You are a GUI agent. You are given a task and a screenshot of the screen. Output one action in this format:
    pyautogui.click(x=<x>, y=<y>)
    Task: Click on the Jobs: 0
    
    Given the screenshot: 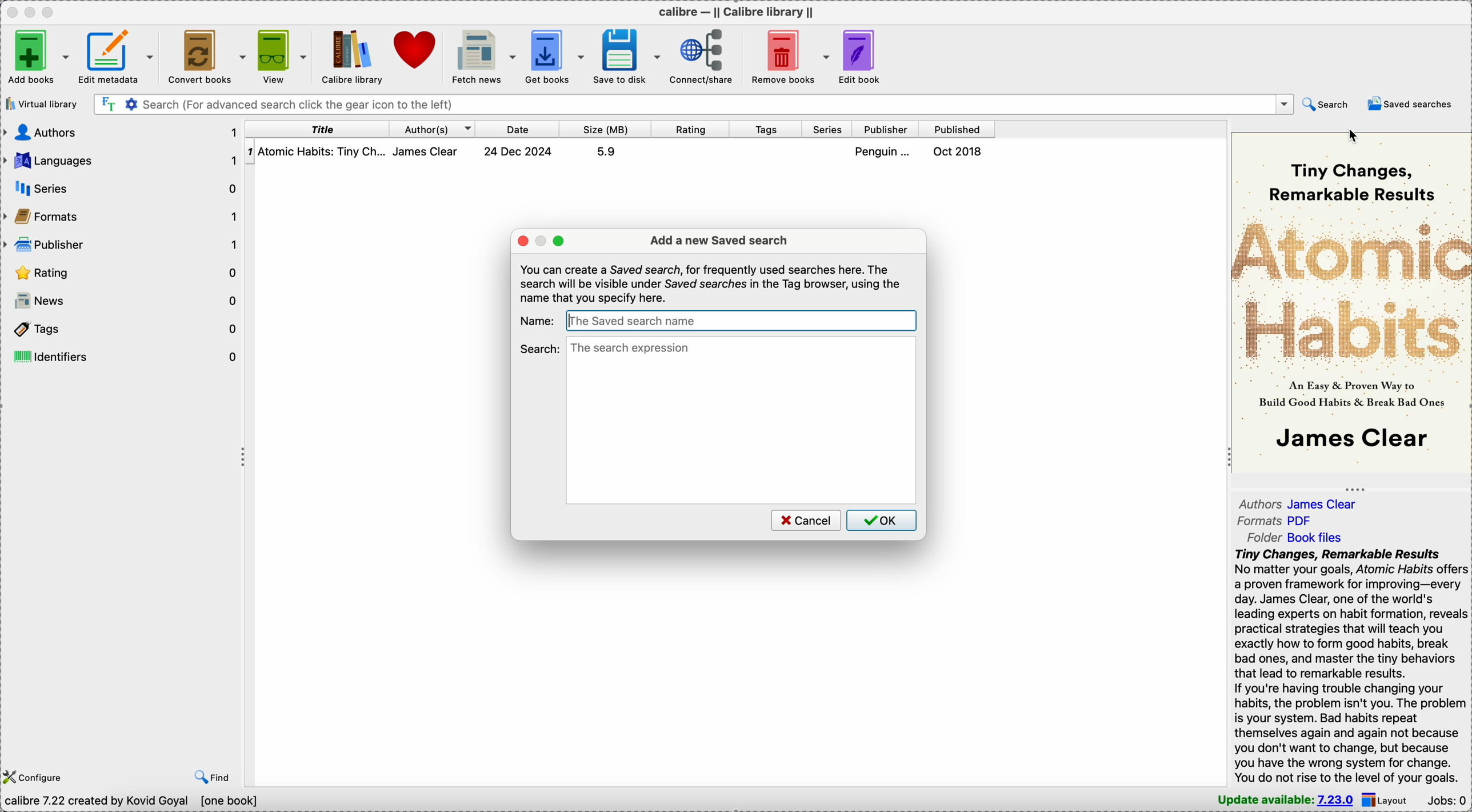 What is the action you would take?
    pyautogui.click(x=1448, y=799)
    